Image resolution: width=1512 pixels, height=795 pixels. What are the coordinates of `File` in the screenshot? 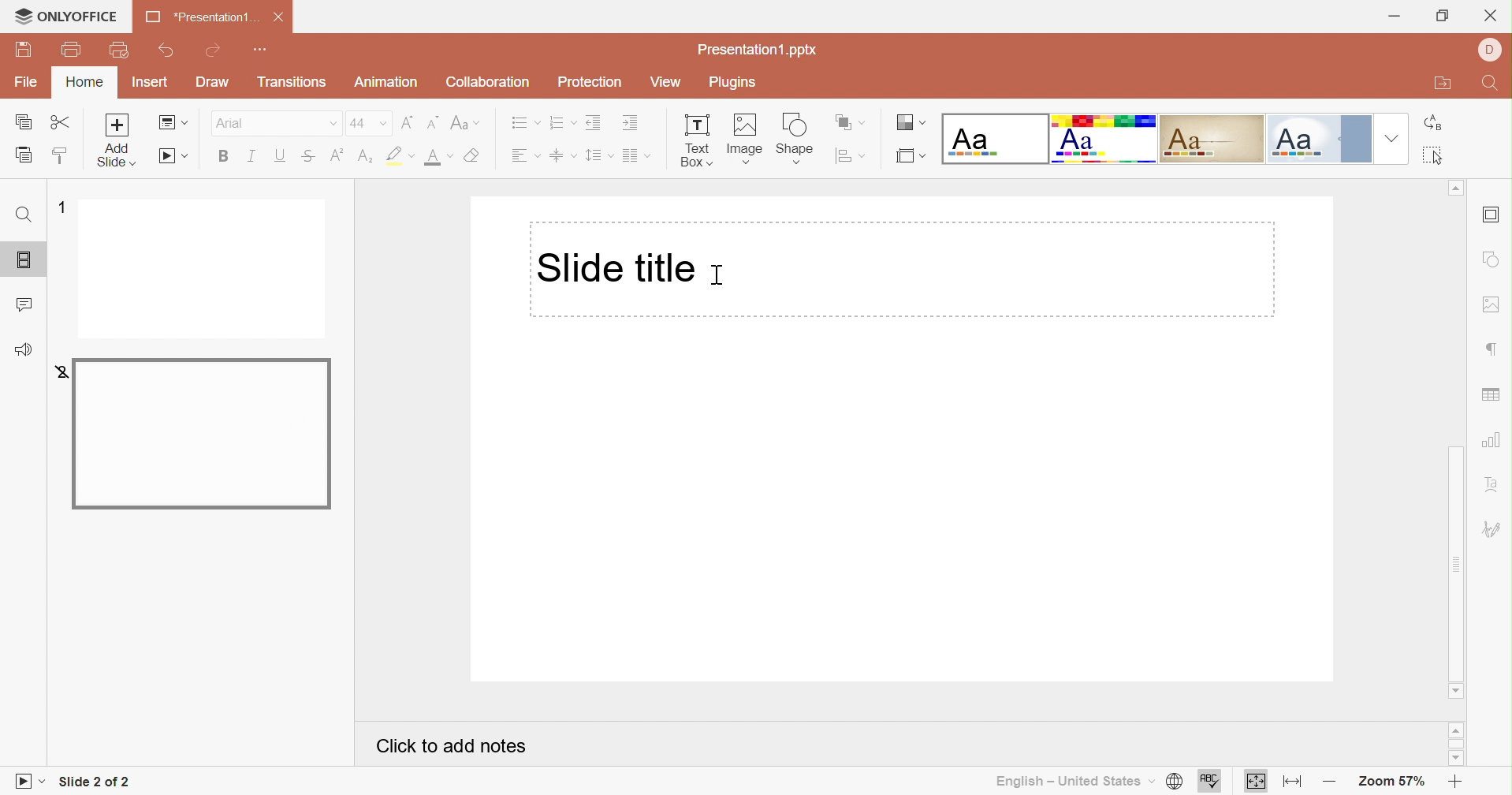 It's located at (26, 82).